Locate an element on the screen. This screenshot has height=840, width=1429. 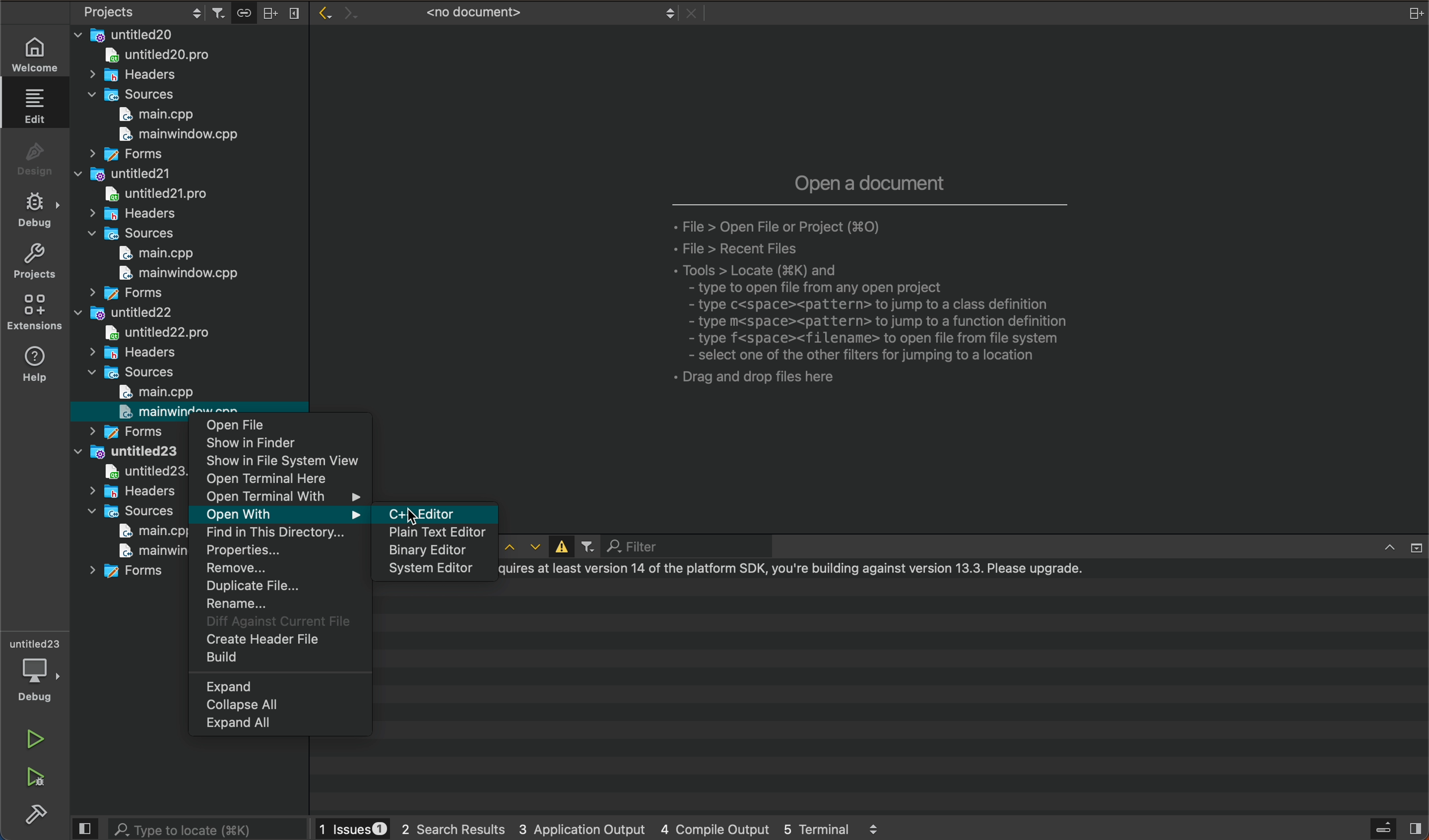
split is located at coordinates (1411, 14).